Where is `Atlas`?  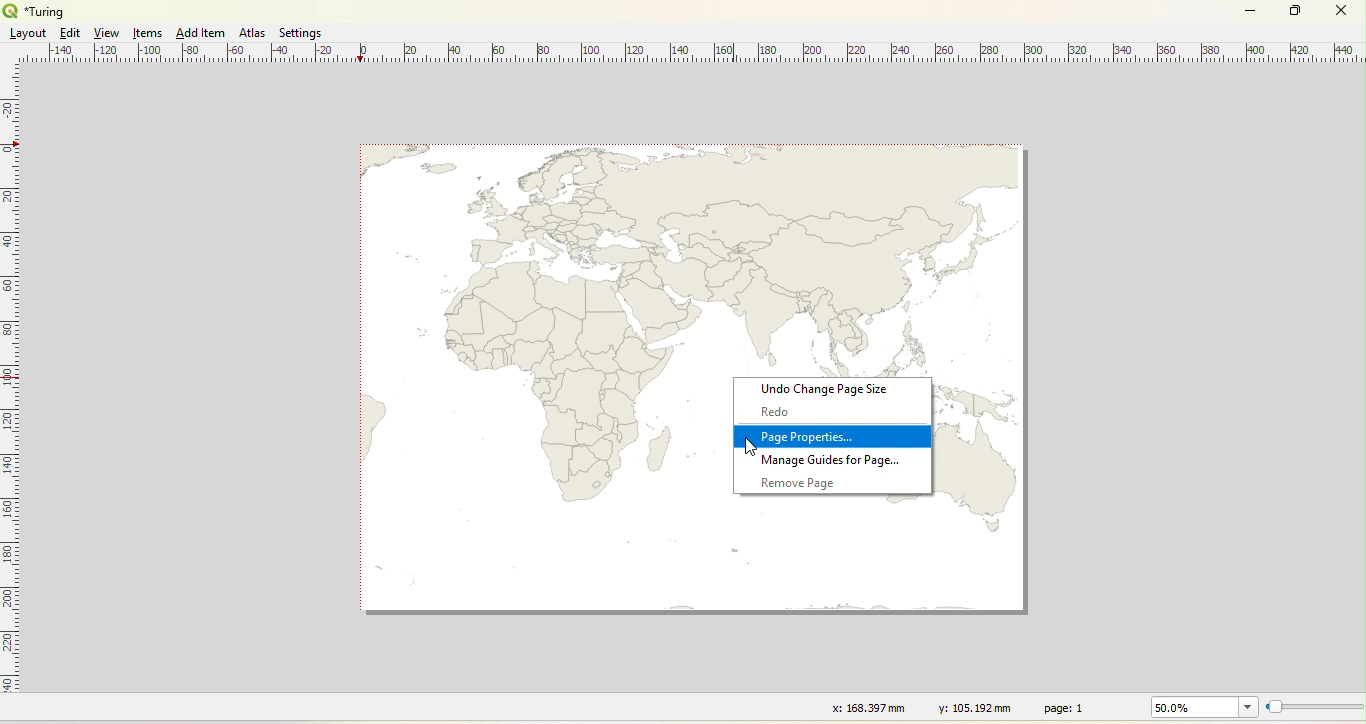 Atlas is located at coordinates (252, 32).